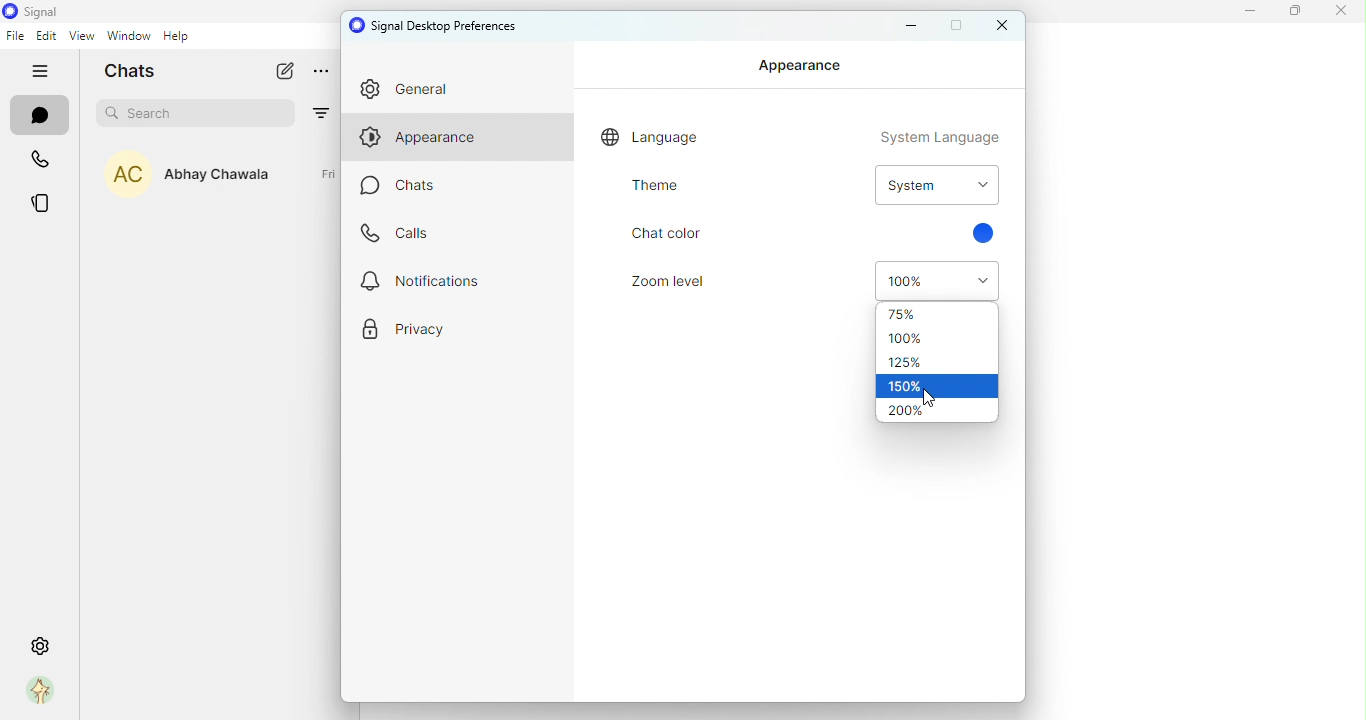 This screenshot has height=720, width=1366. Describe the element at coordinates (404, 336) in the screenshot. I see `privacy` at that location.